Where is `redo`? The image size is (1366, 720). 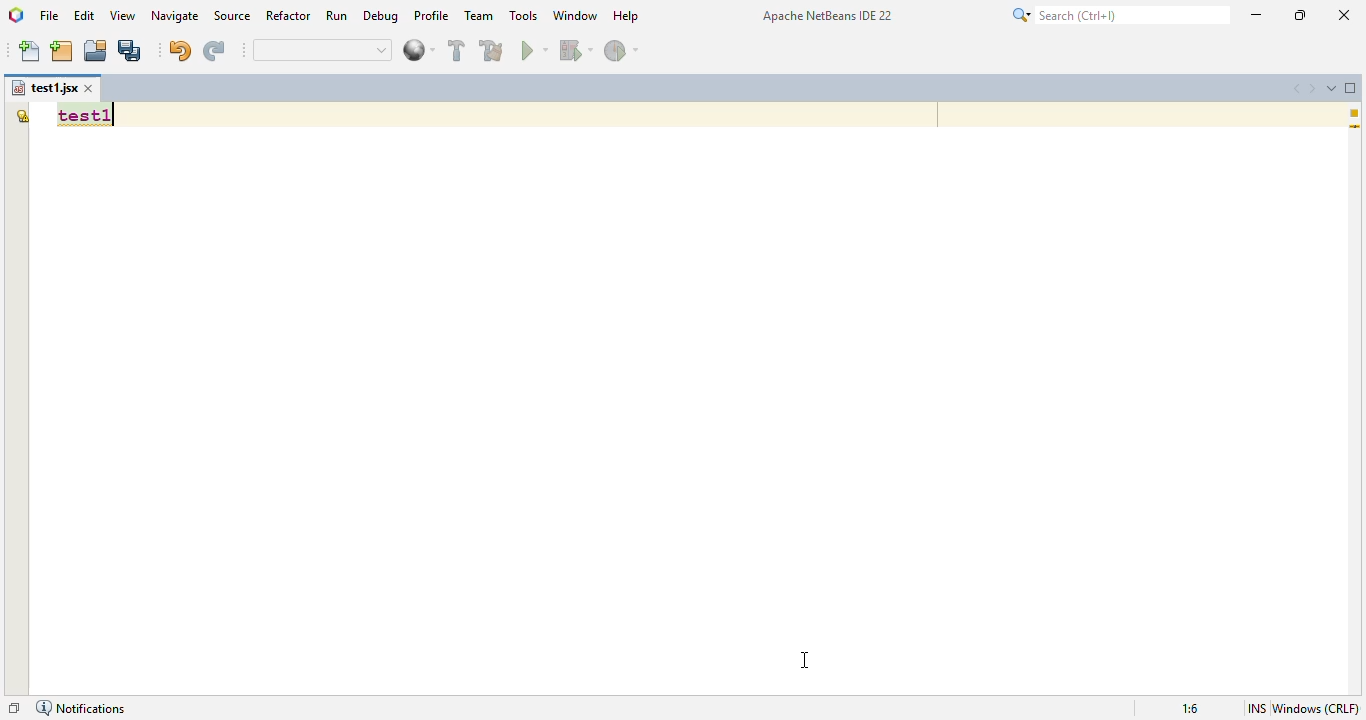
redo is located at coordinates (213, 51).